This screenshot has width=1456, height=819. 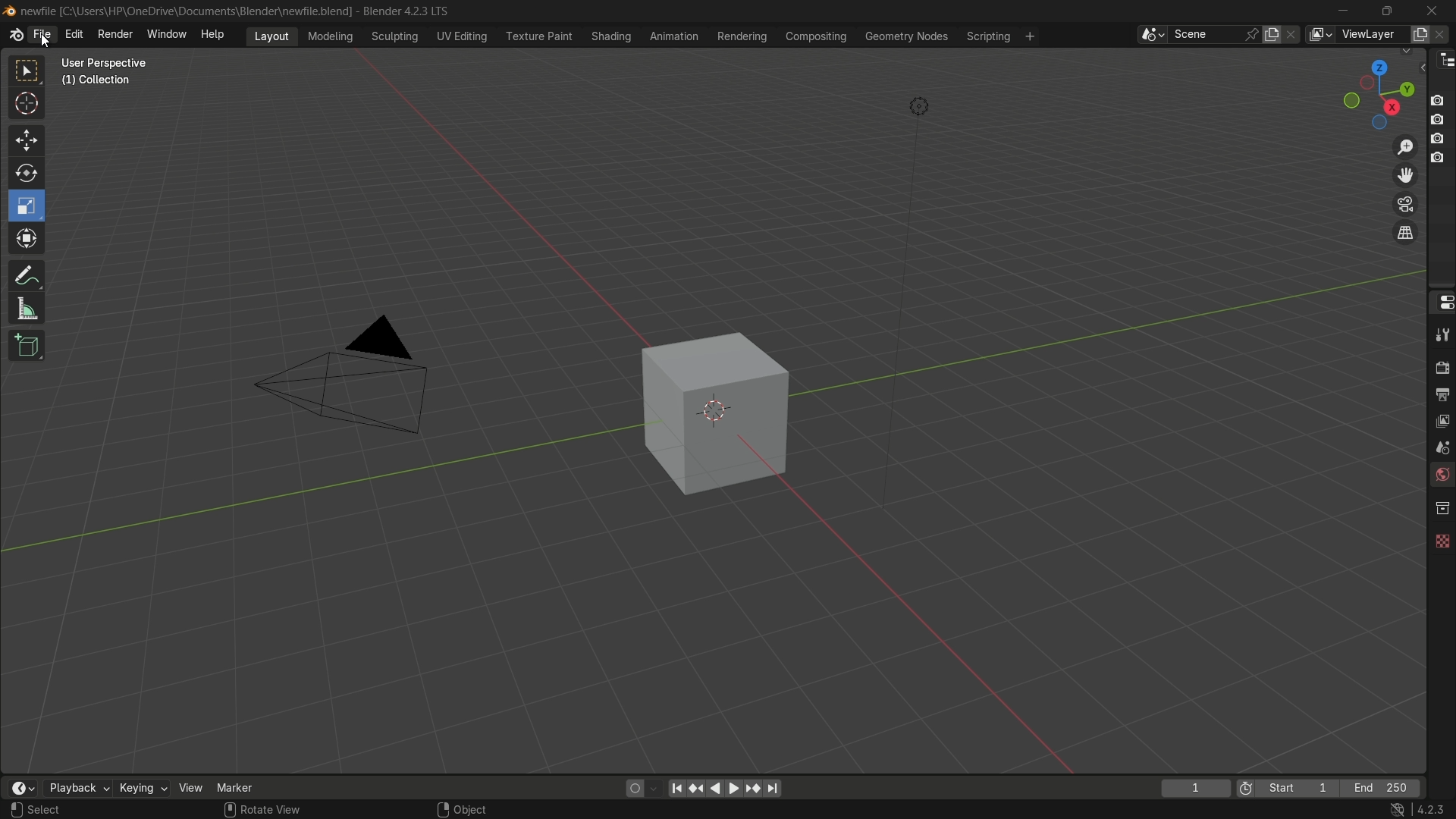 What do you see at coordinates (1406, 145) in the screenshot?
I see `zoom in/out` at bounding box center [1406, 145].